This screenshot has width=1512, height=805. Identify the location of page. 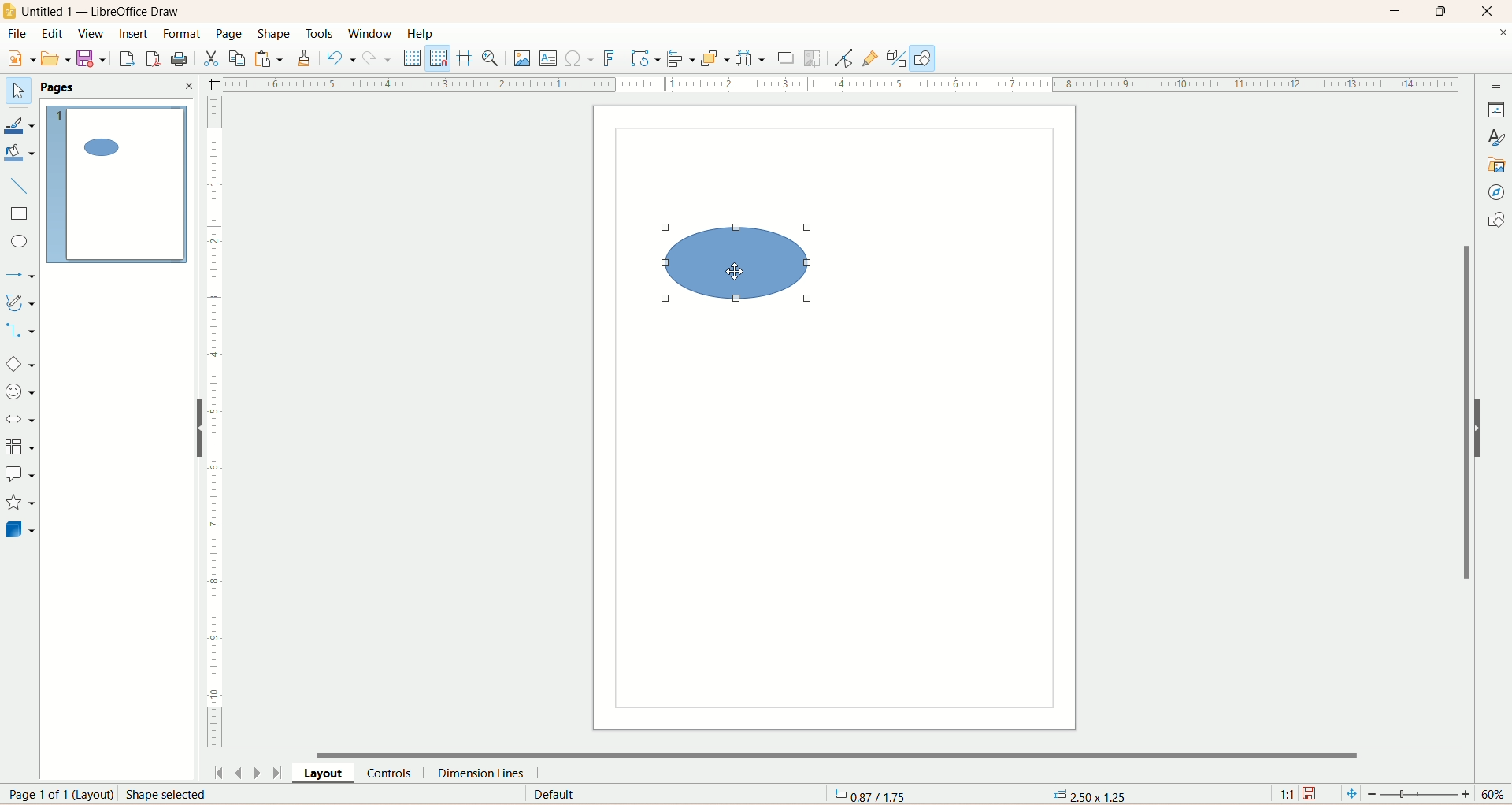
(233, 33).